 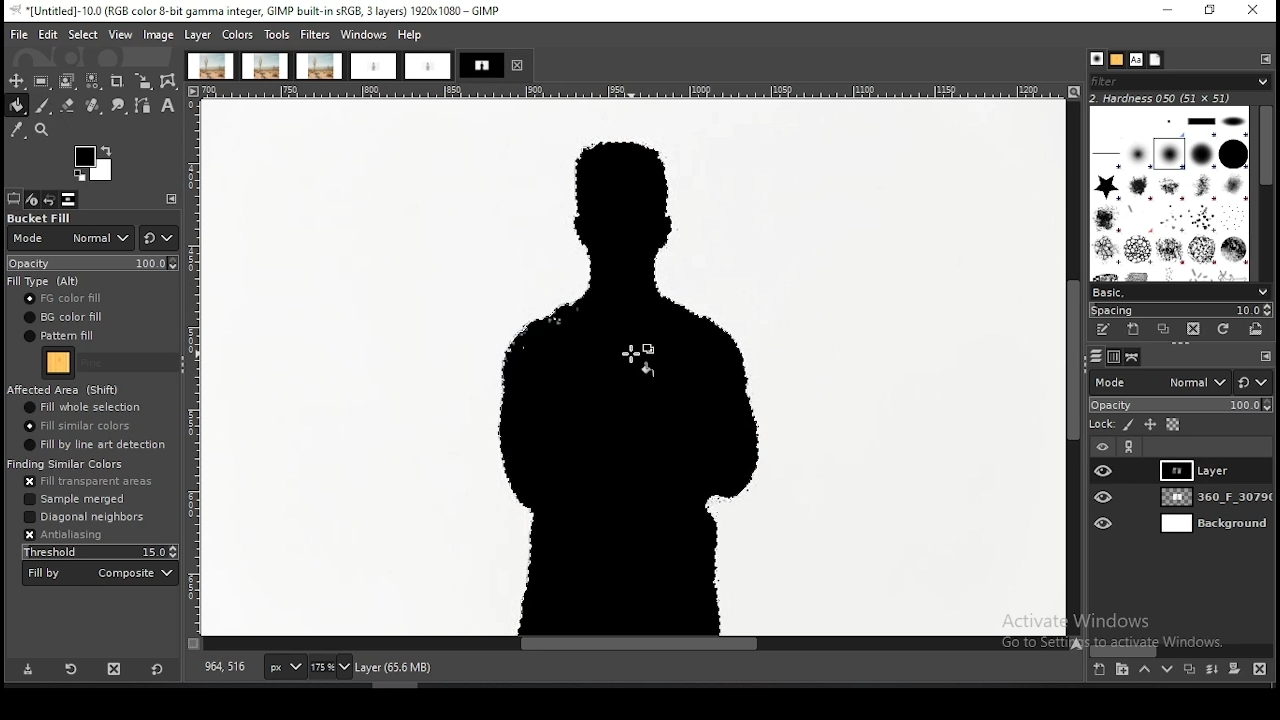 I want to click on paint bucket tool, so click(x=15, y=106).